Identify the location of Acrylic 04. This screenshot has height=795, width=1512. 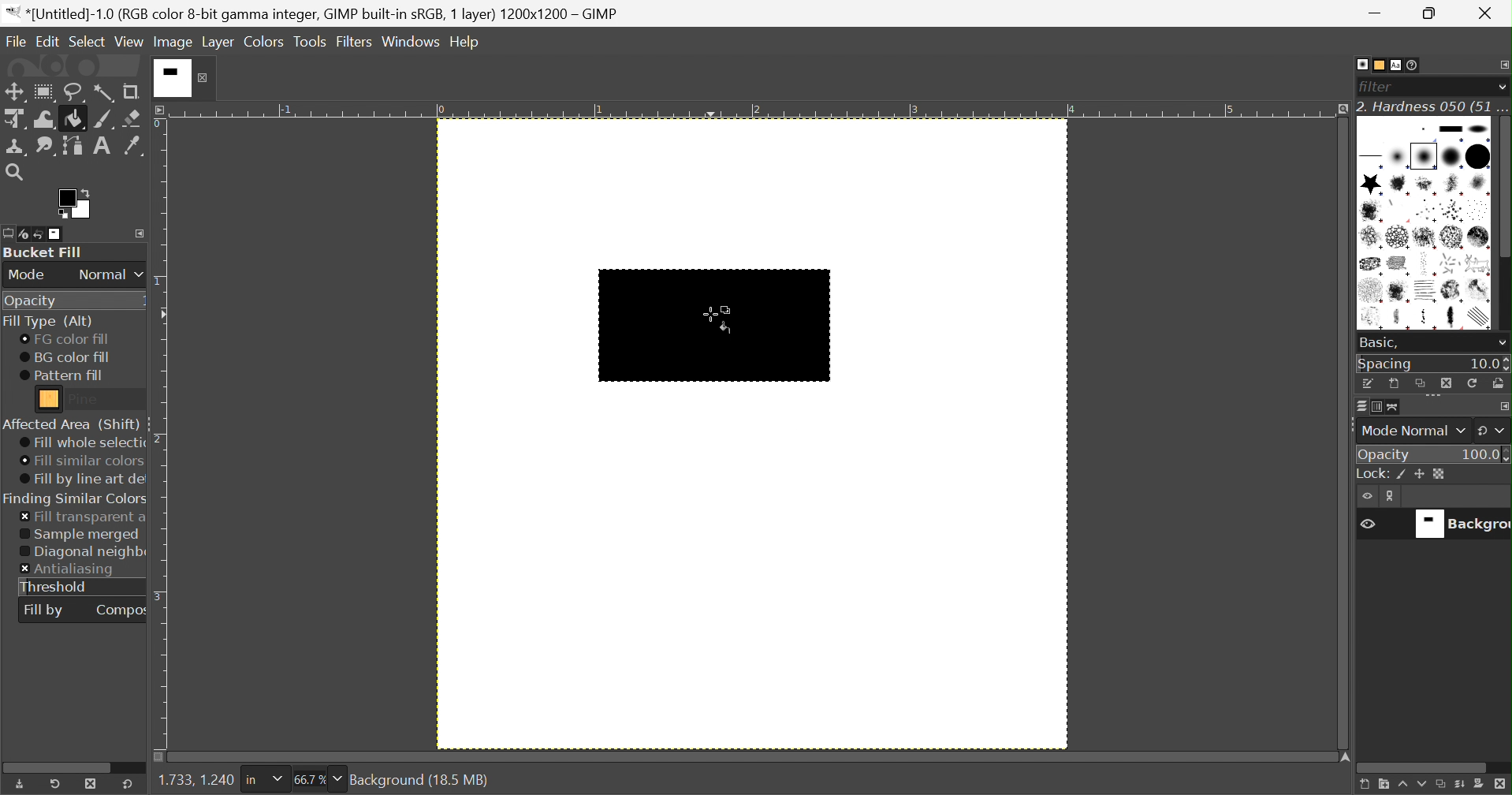
(1479, 185).